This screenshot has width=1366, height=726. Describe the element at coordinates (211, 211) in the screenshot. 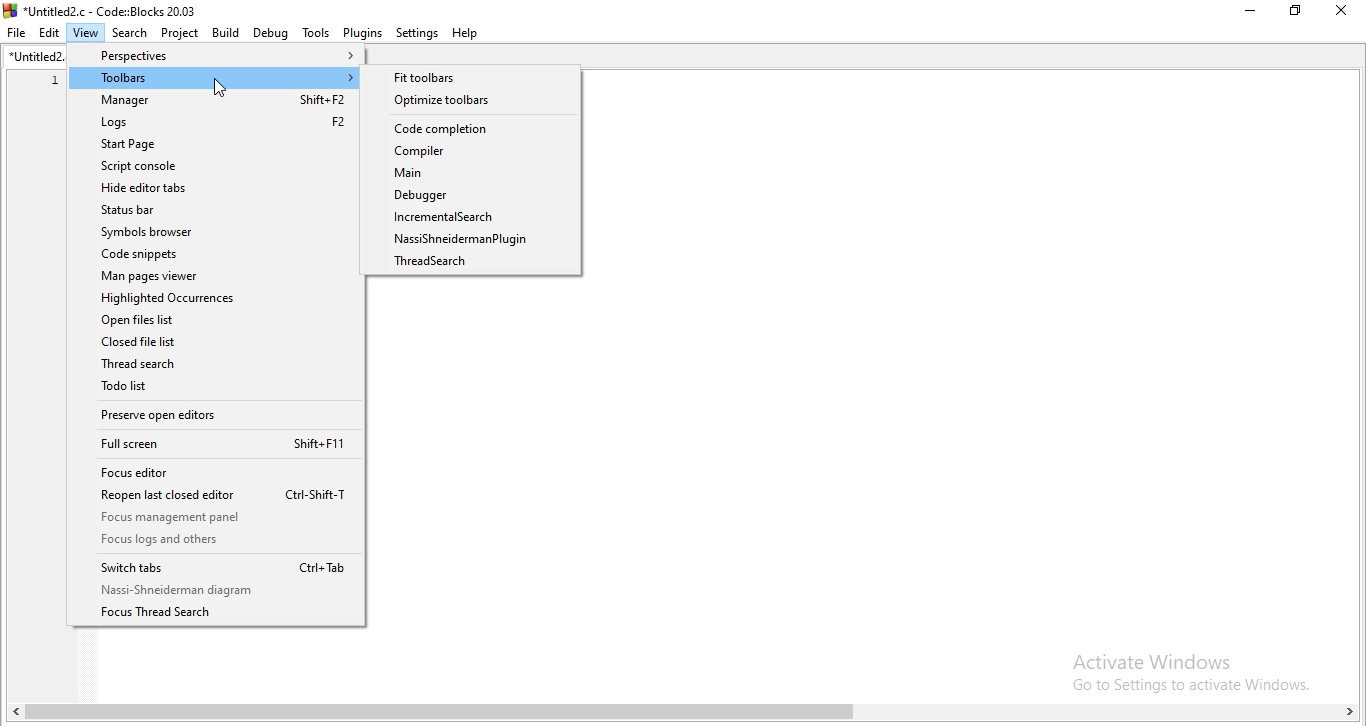

I see `Status bar` at that location.